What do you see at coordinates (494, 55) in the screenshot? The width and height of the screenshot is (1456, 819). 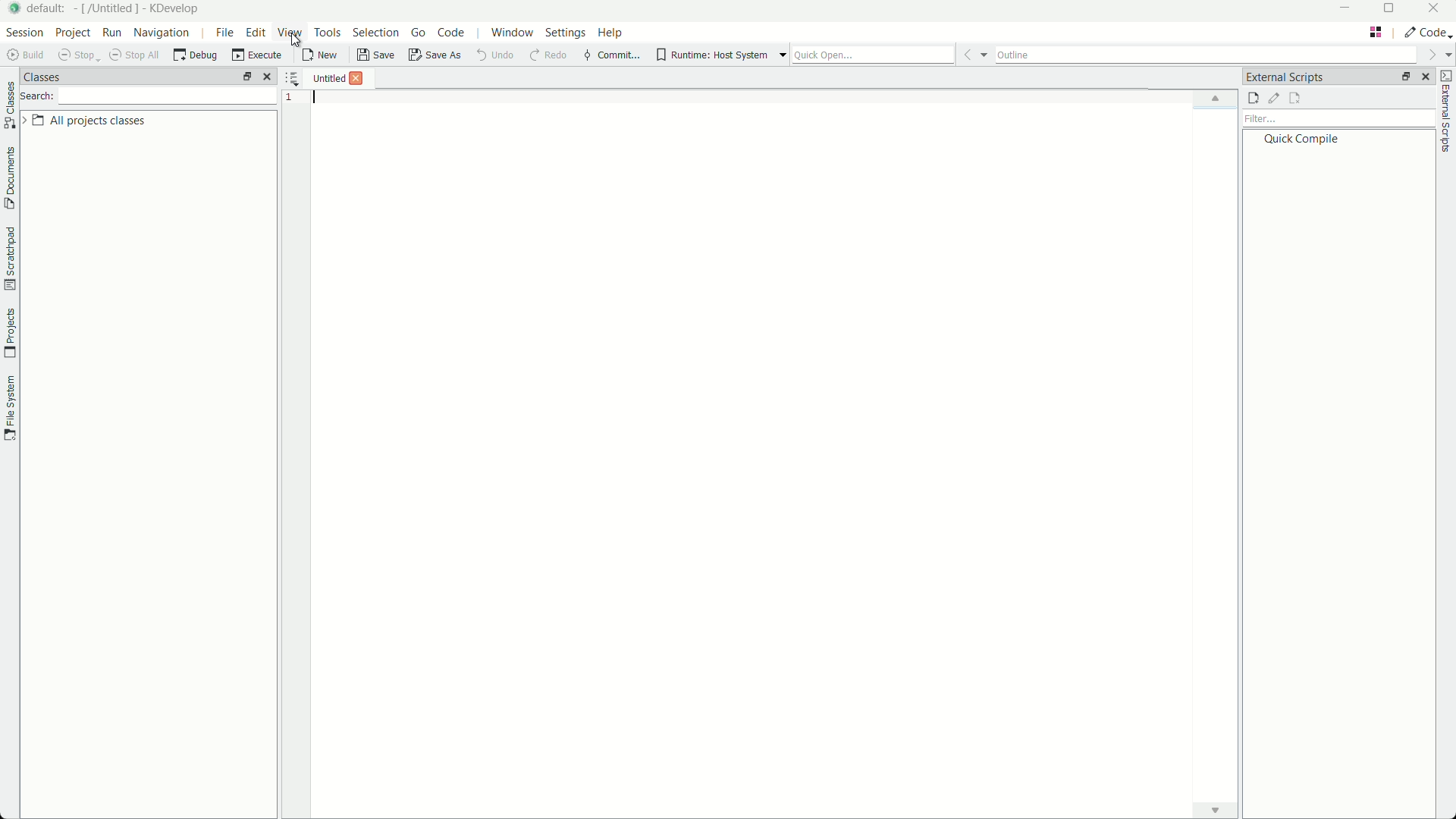 I see `undo` at bounding box center [494, 55].